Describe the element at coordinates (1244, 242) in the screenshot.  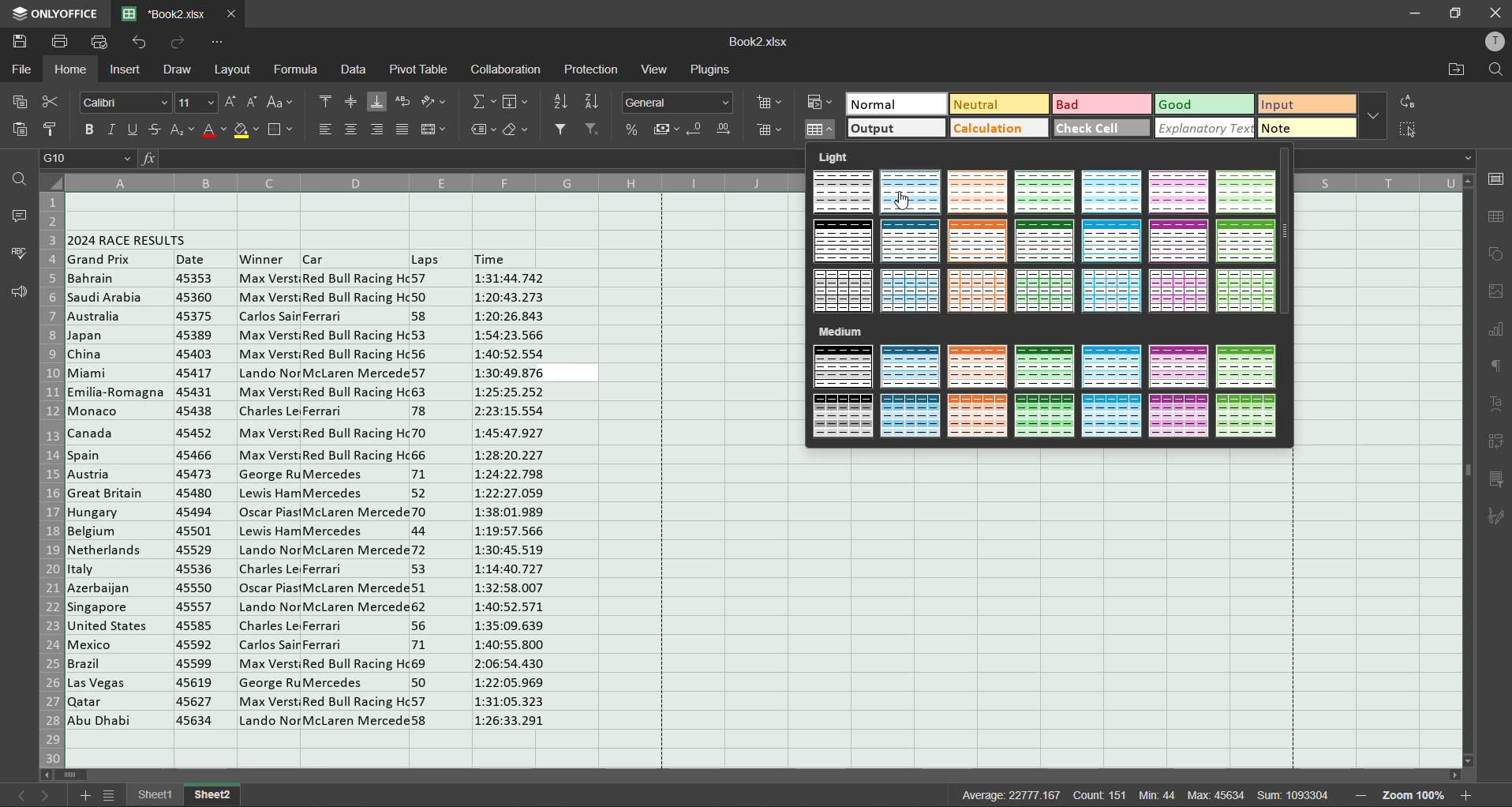
I see `table style light 14` at that location.